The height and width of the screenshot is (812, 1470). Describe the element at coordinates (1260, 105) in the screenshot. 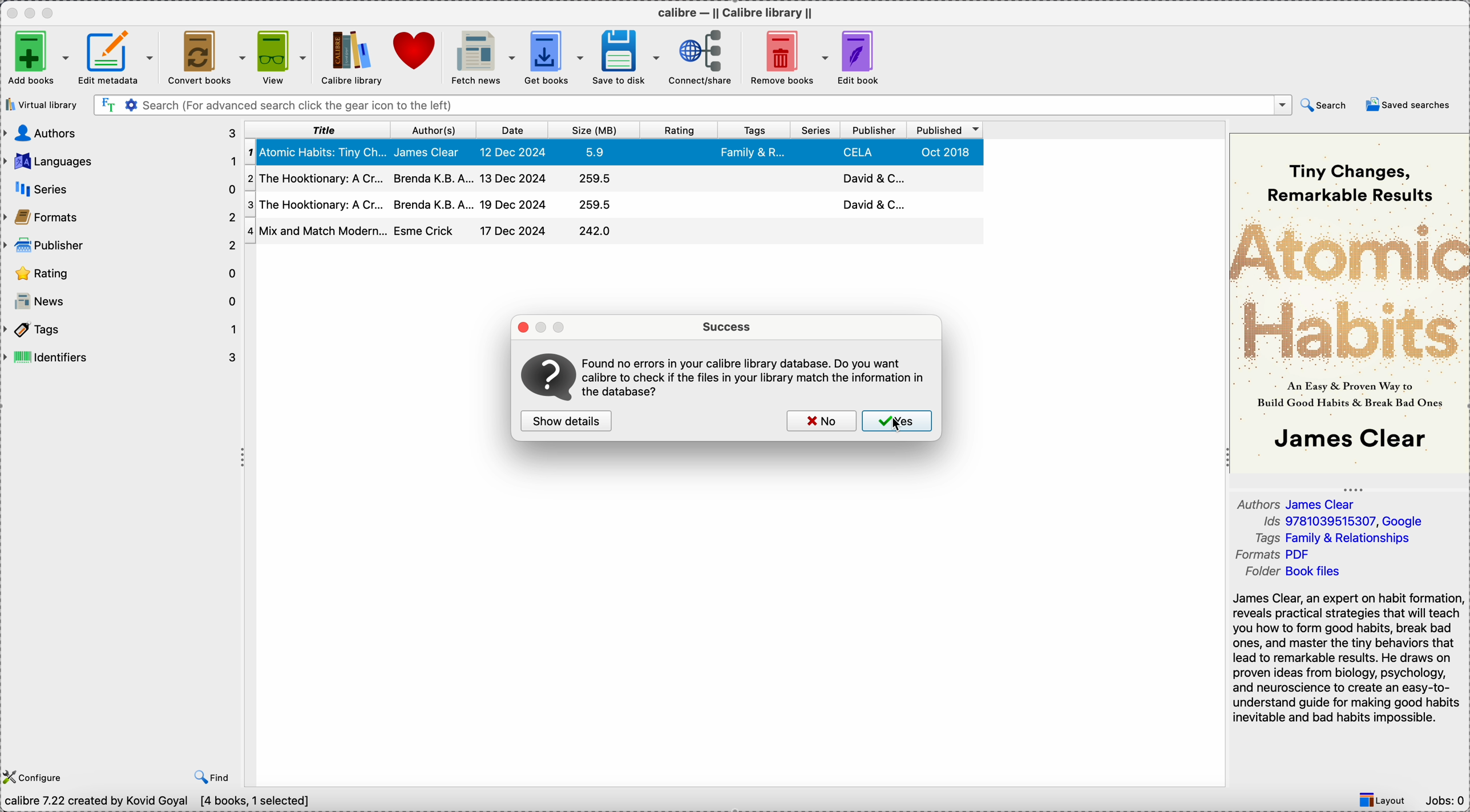

I see `close` at that location.